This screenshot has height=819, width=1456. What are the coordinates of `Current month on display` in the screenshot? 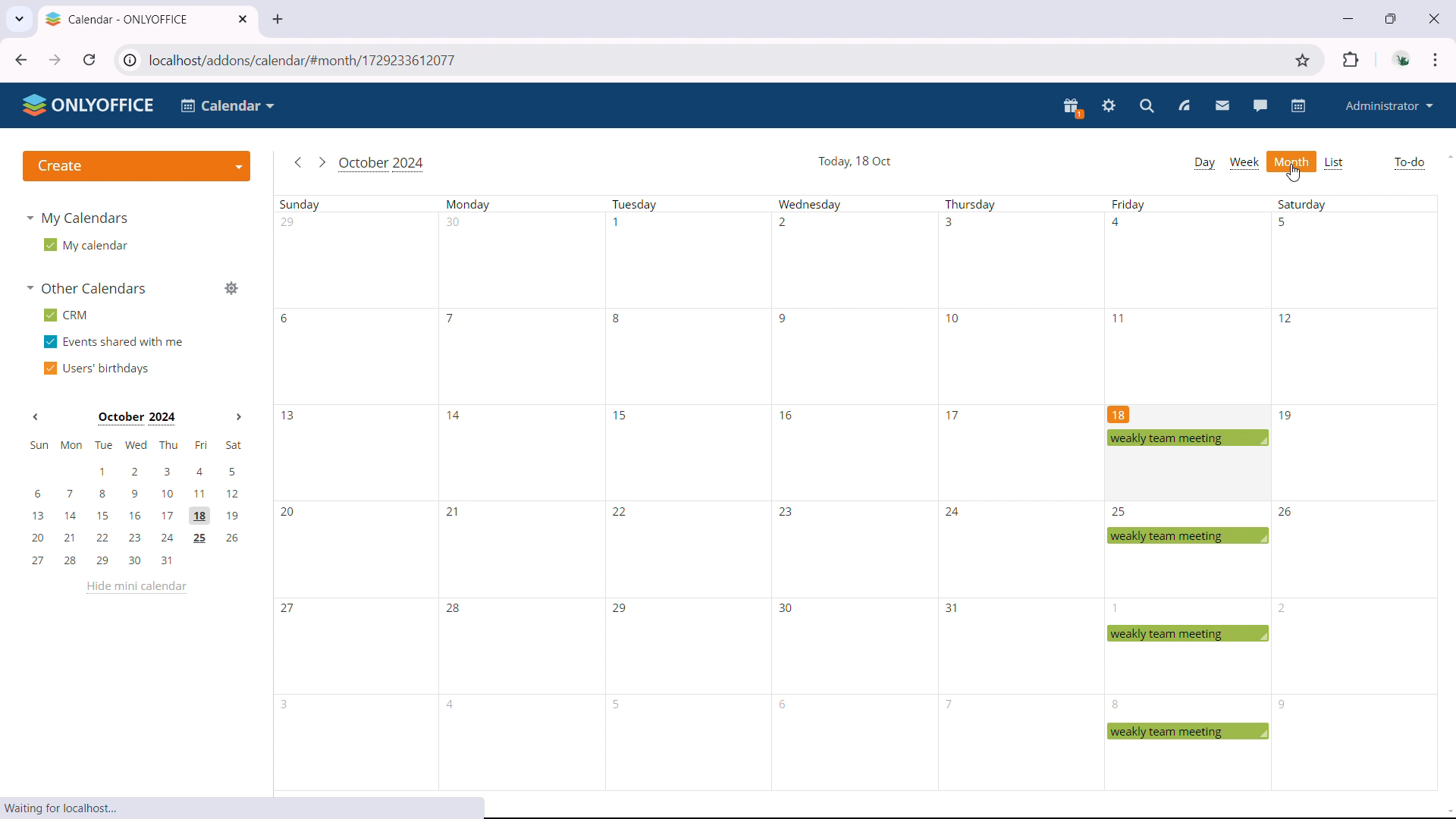 It's located at (136, 419).